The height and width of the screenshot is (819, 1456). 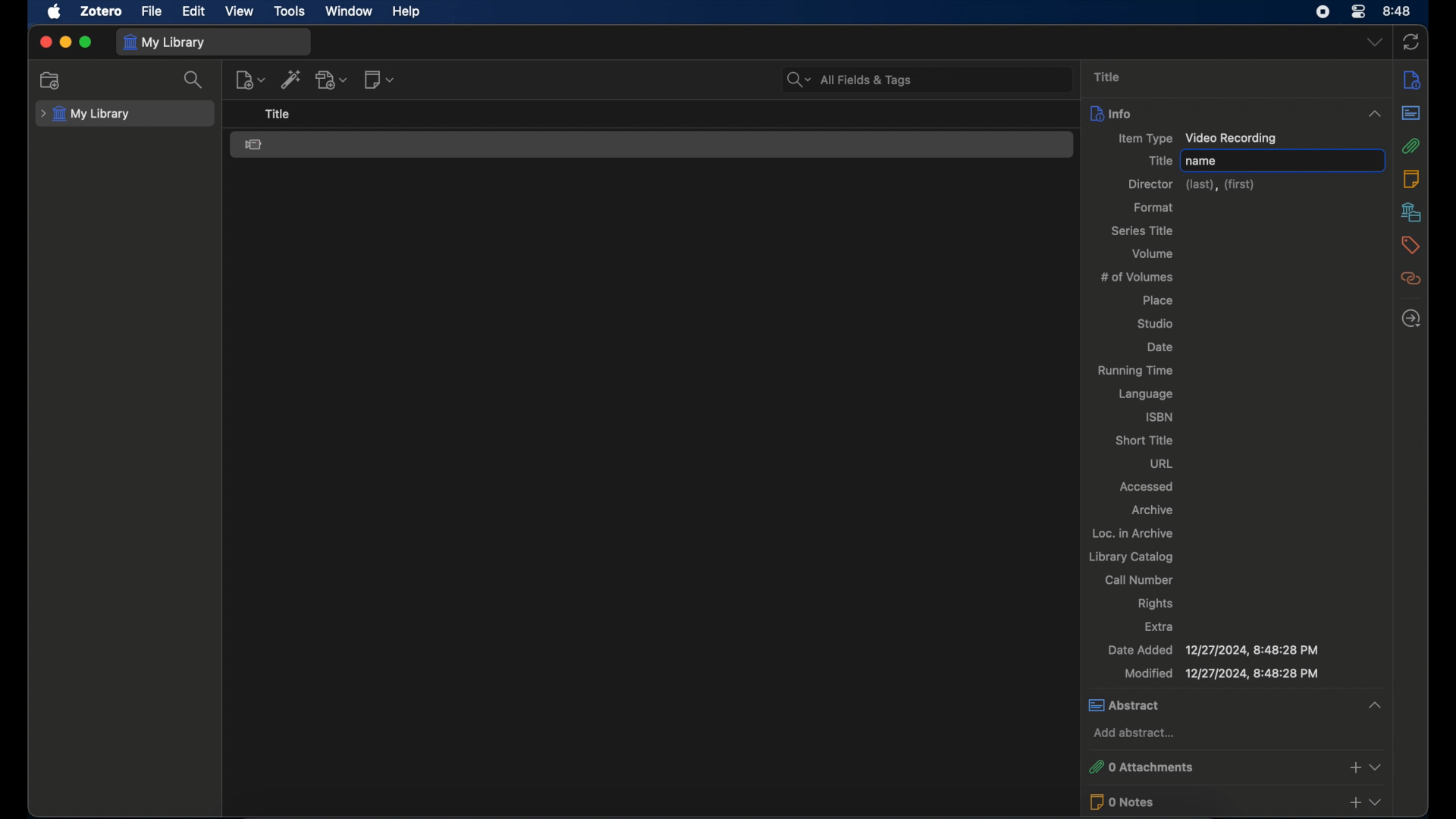 What do you see at coordinates (1414, 81) in the screenshot?
I see `info` at bounding box center [1414, 81].